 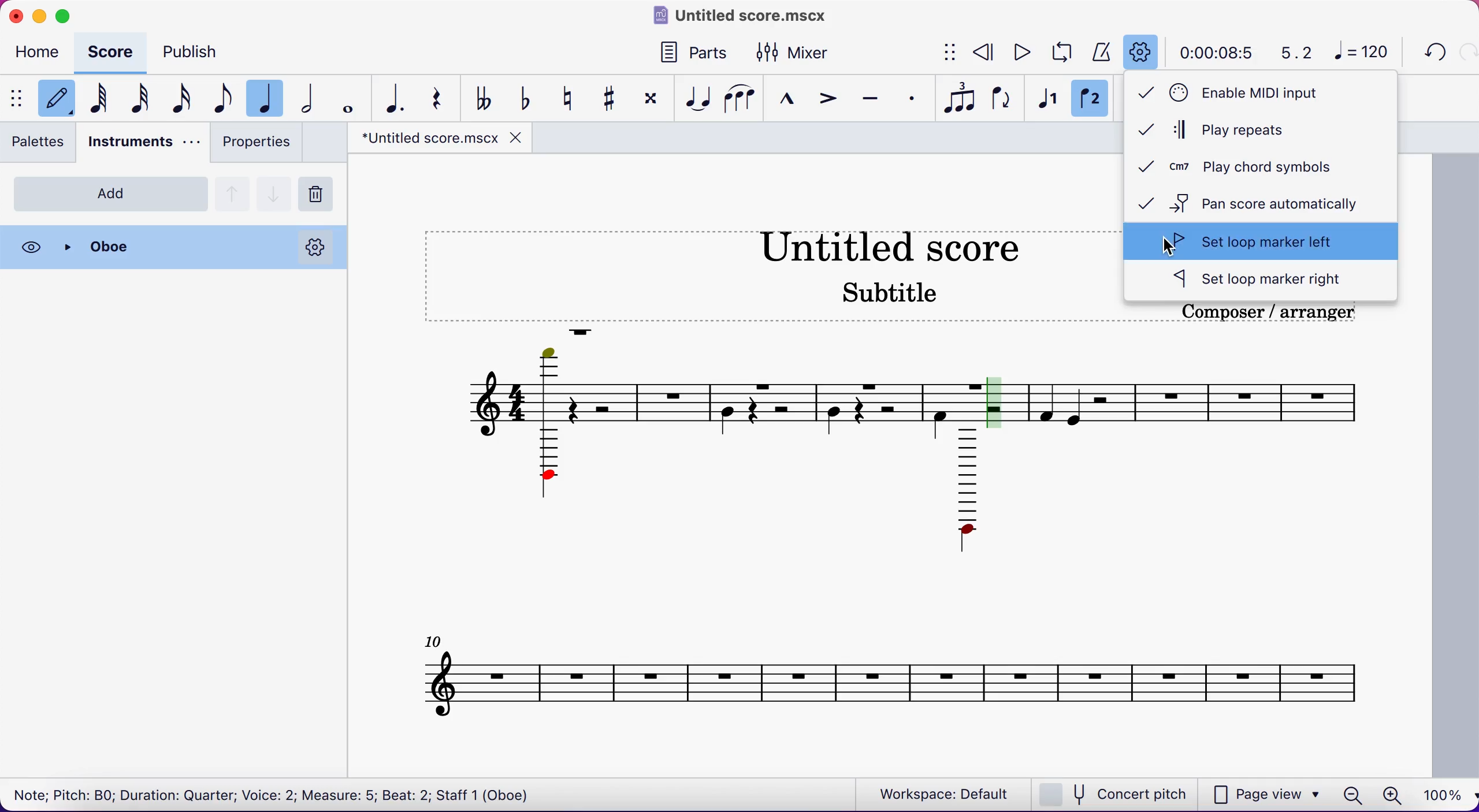 I want to click on play chord symbols, so click(x=1257, y=169).